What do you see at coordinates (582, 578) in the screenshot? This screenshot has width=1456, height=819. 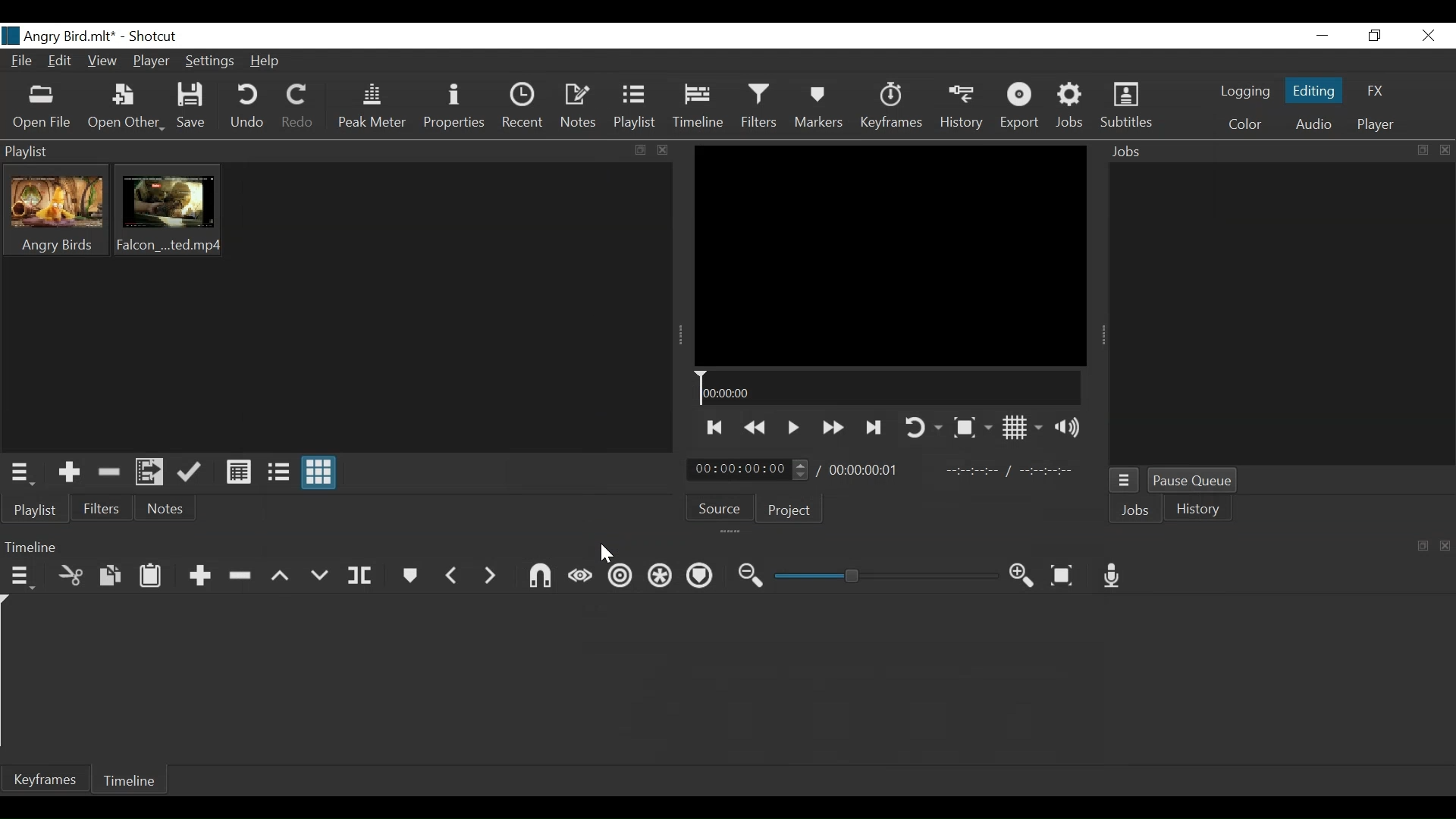 I see `Scrub while dragging` at bounding box center [582, 578].